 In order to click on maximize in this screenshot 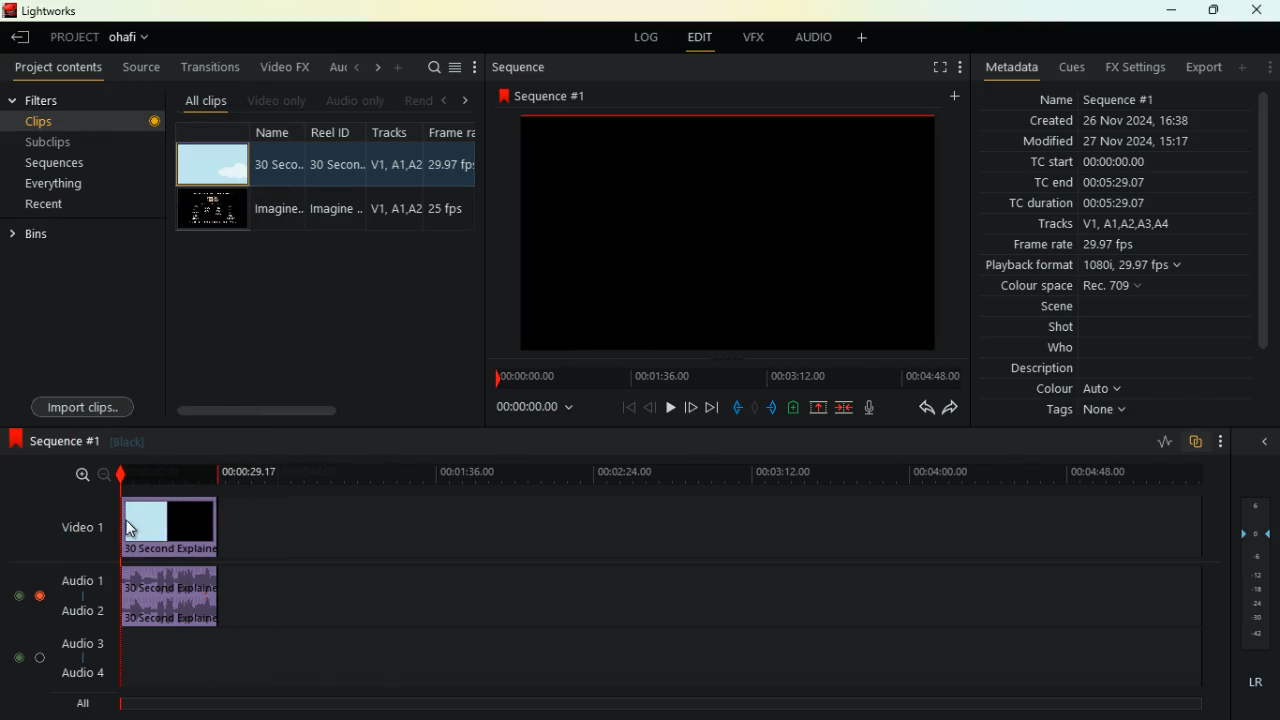, I will do `click(1214, 10)`.